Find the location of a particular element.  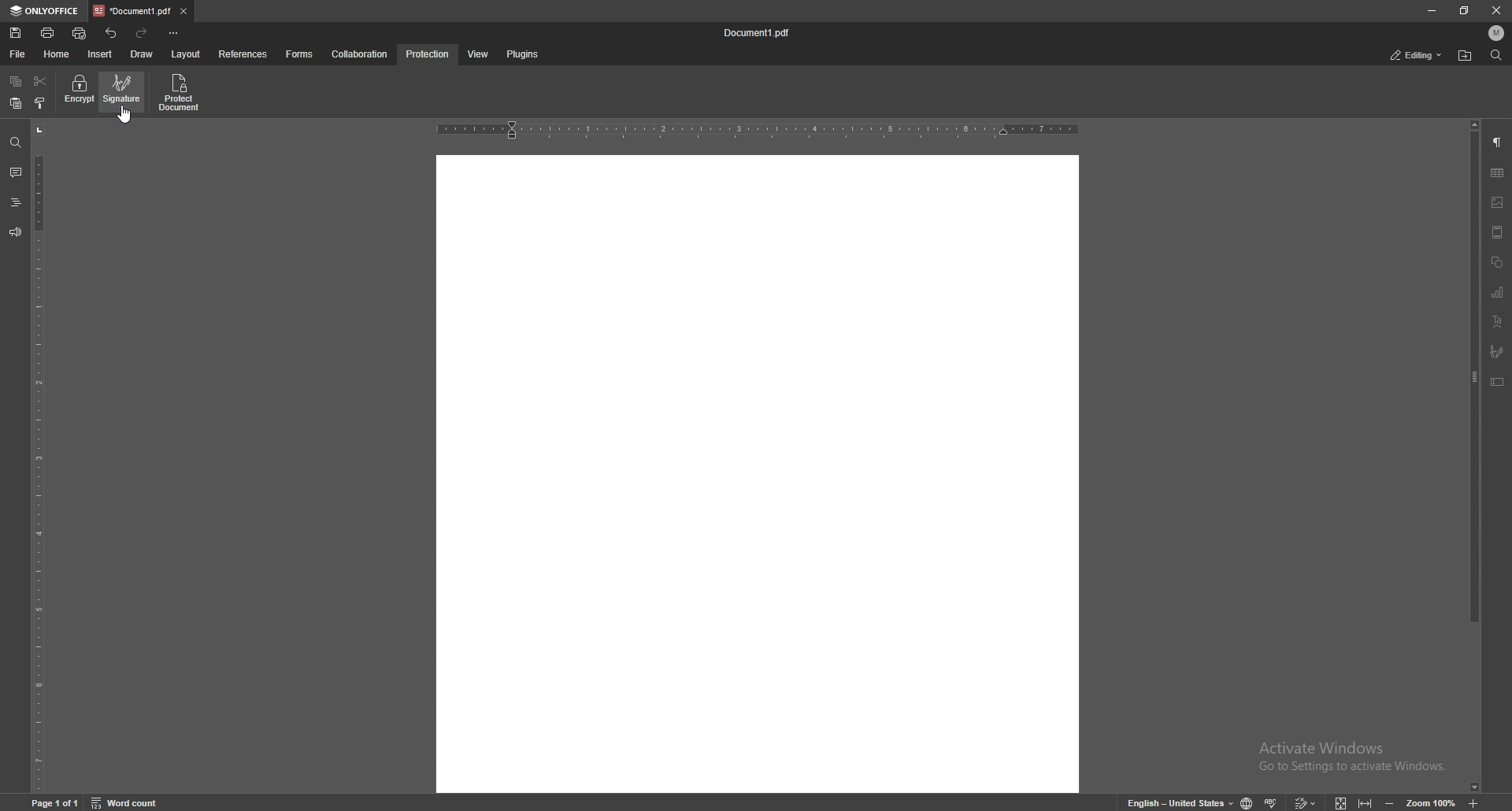

minimize is located at coordinates (1431, 9).